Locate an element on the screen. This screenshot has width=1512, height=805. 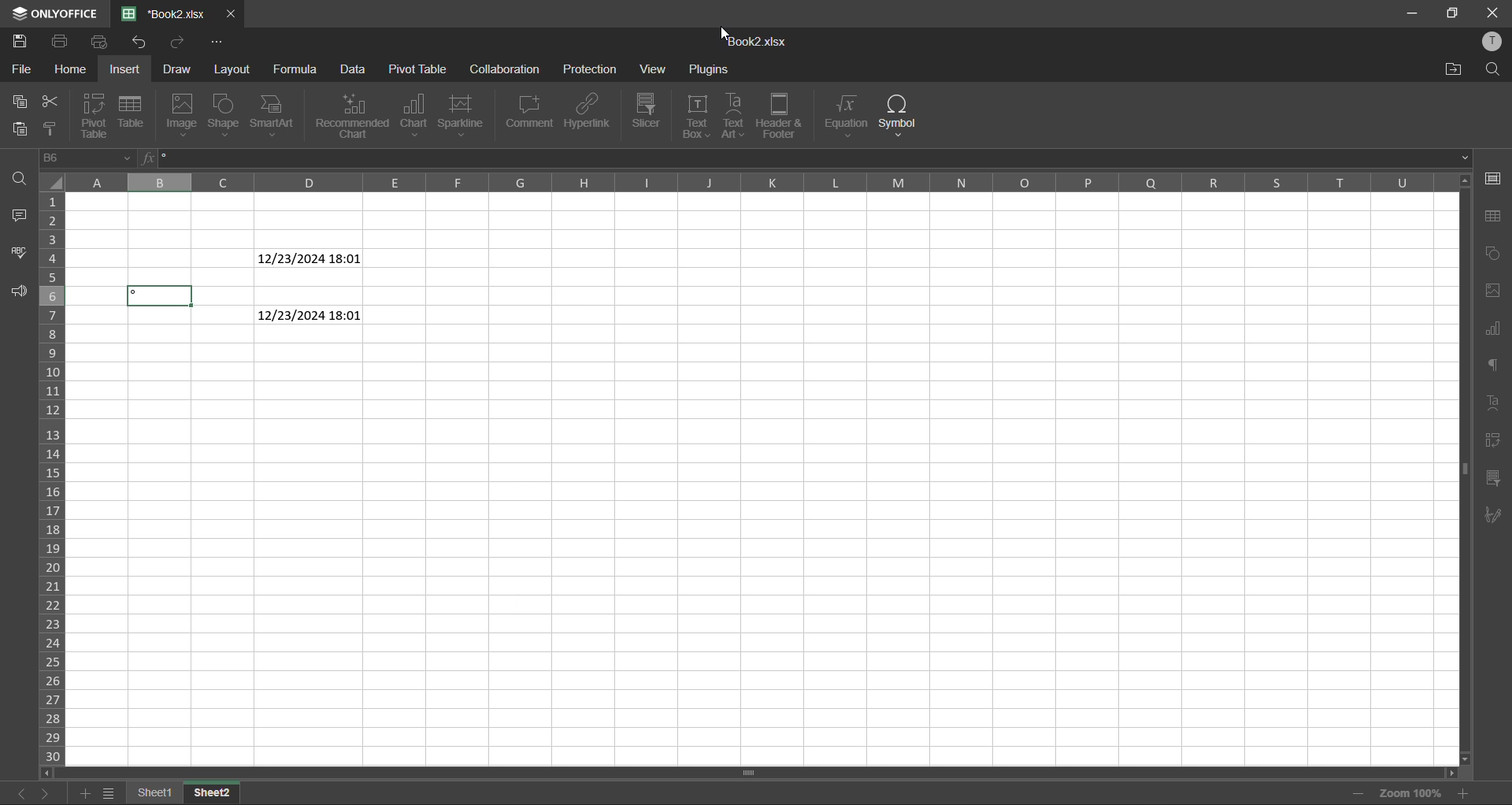
cell settings is located at coordinates (1492, 180).